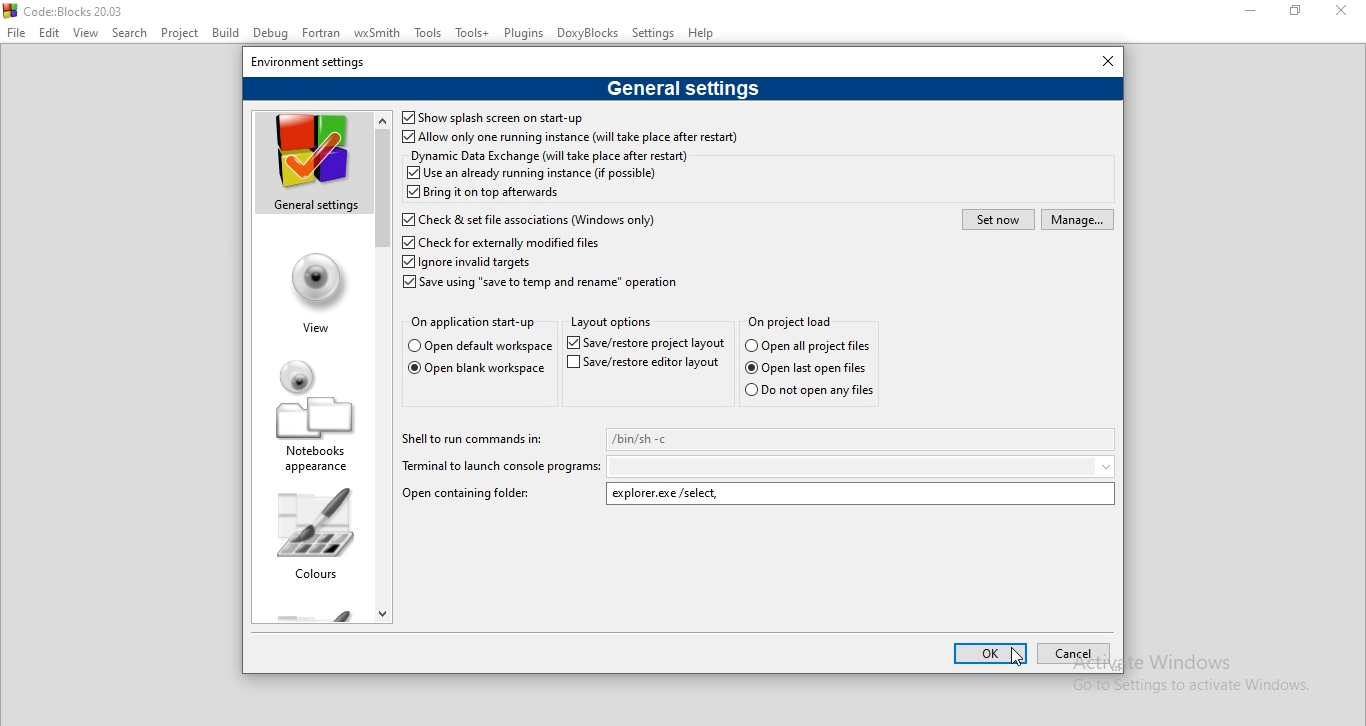 This screenshot has width=1366, height=726. Describe the element at coordinates (52, 35) in the screenshot. I see `Edit` at that location.